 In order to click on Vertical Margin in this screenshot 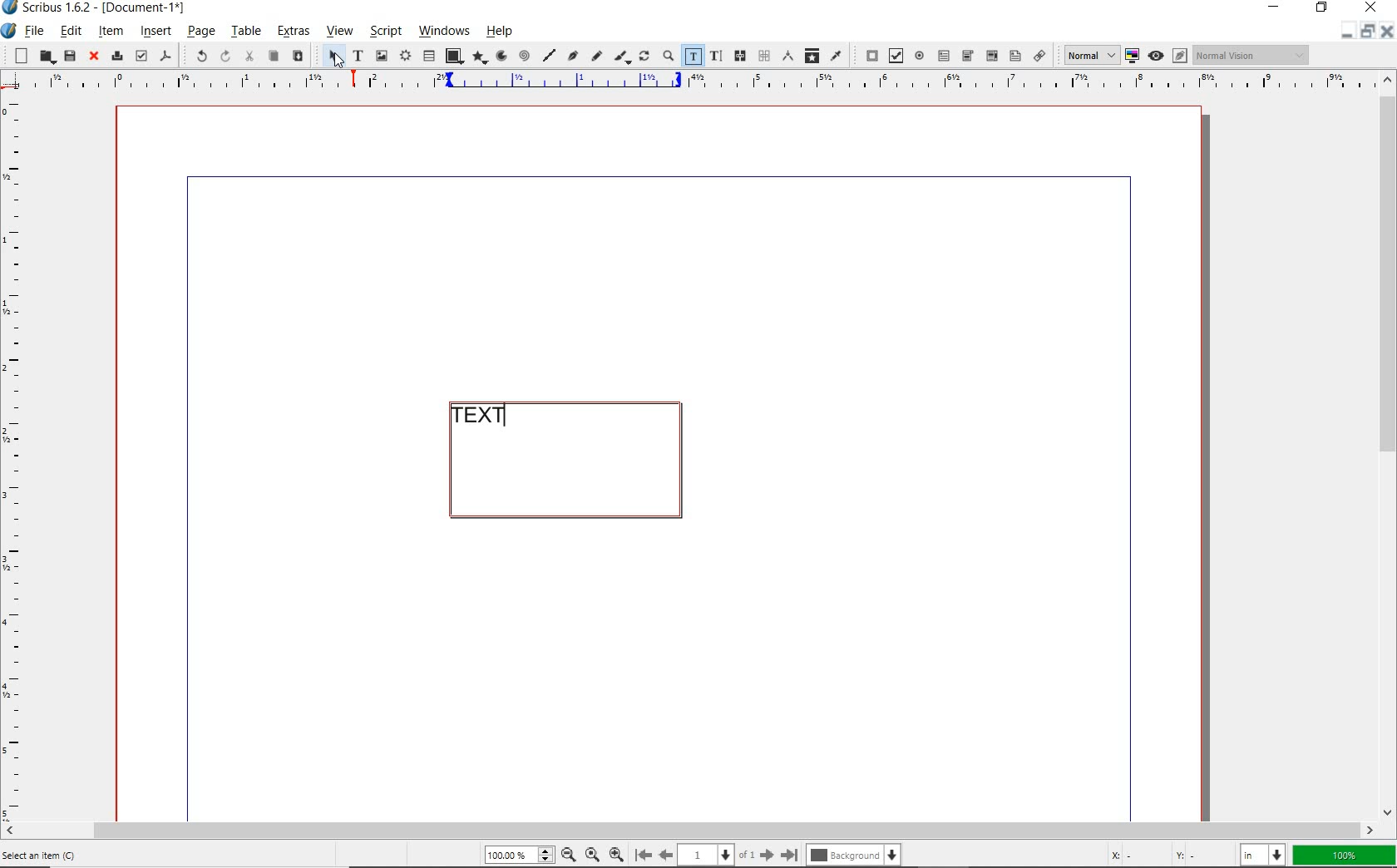, I will do `click(19, 457)`.